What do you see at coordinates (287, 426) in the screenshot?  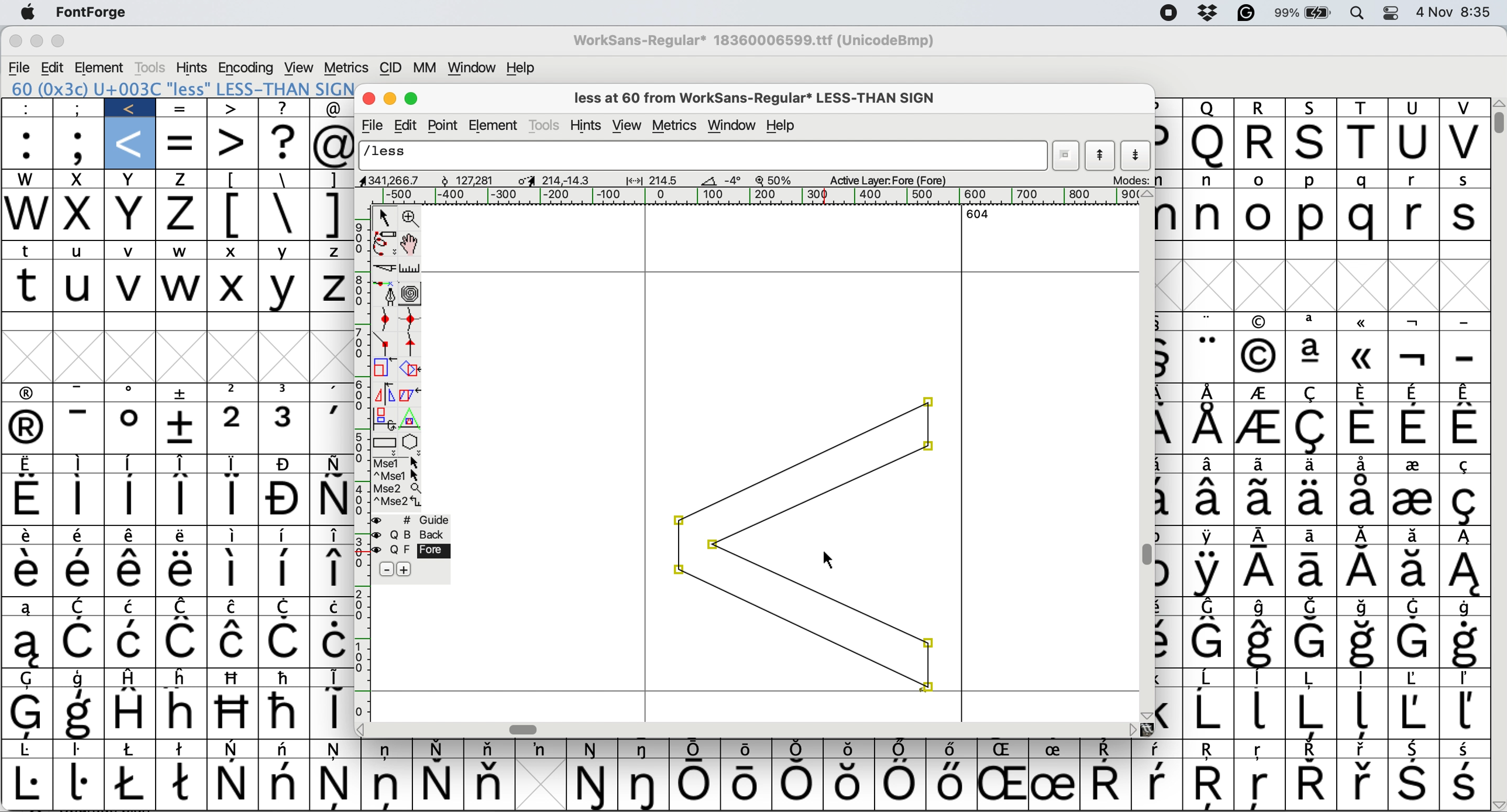 I see `3` at bounding box center [287, 426].